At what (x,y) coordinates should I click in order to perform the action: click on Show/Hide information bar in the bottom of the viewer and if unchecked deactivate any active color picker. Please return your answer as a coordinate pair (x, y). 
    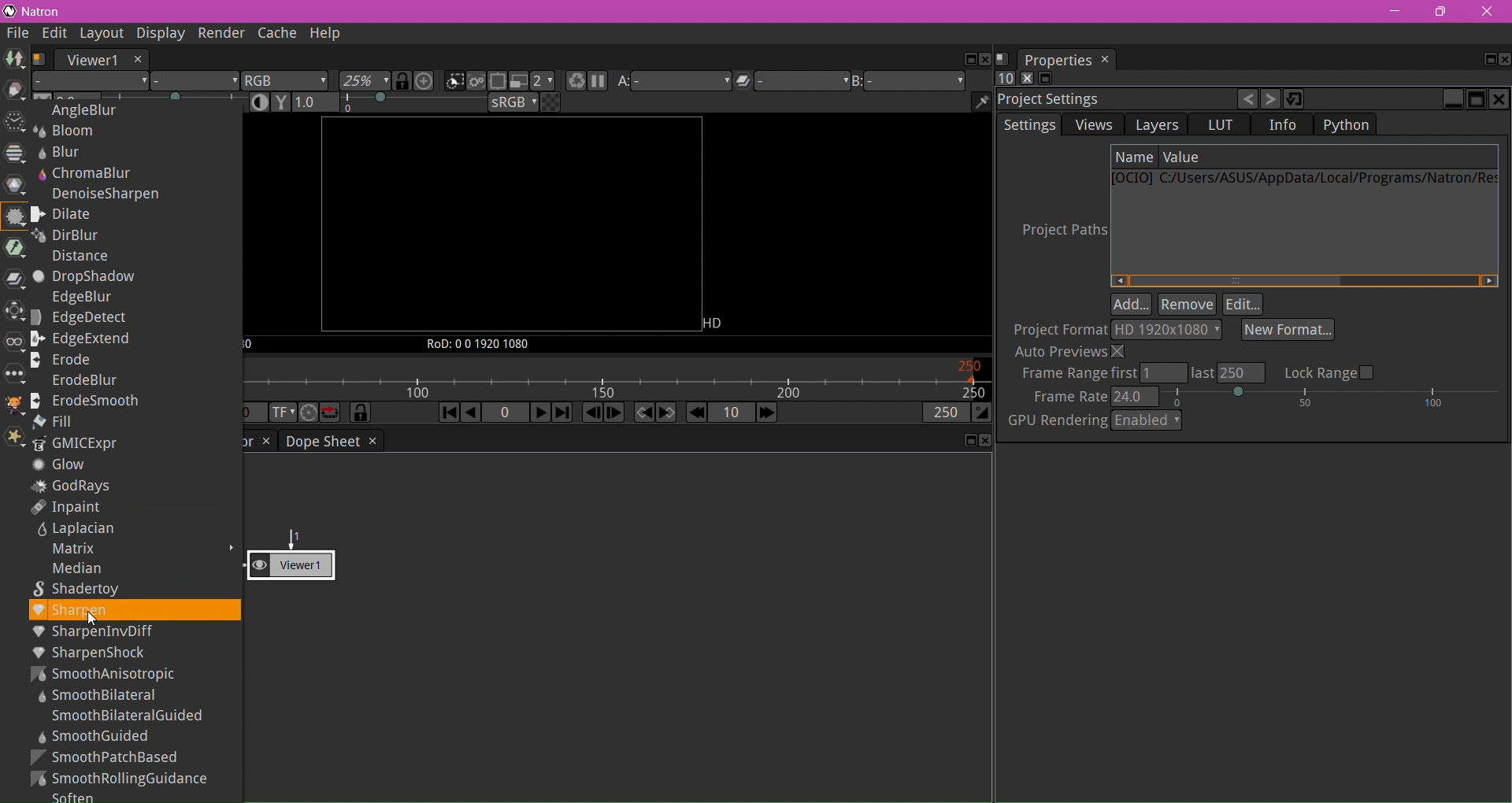
    Looking at the image, I should click on (981, 102).